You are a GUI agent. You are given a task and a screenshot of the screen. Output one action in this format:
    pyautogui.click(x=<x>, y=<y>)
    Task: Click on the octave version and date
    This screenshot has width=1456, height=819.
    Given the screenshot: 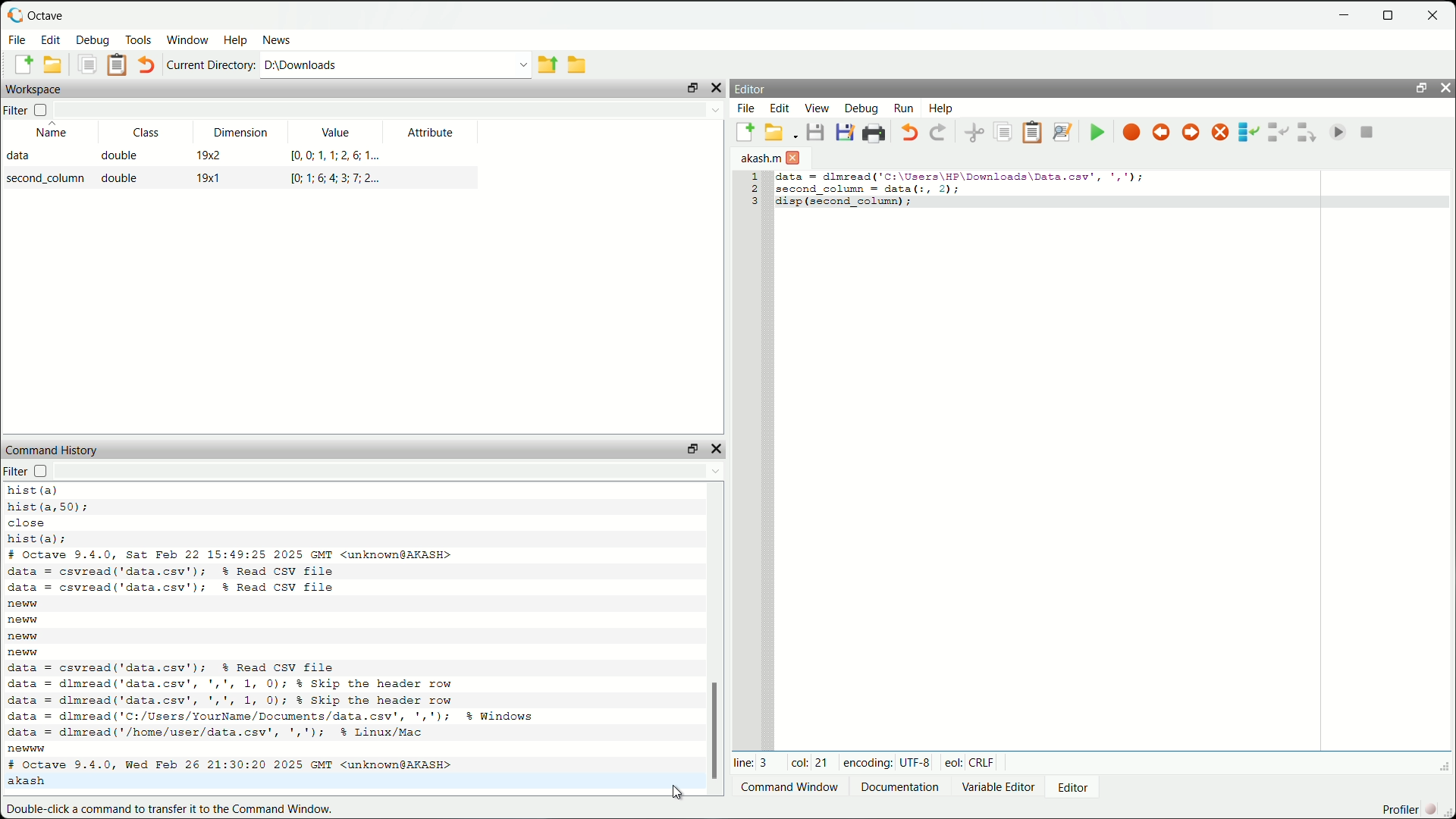 What is the action you would take?
    pyautogui.click(x=296, y=554)
    